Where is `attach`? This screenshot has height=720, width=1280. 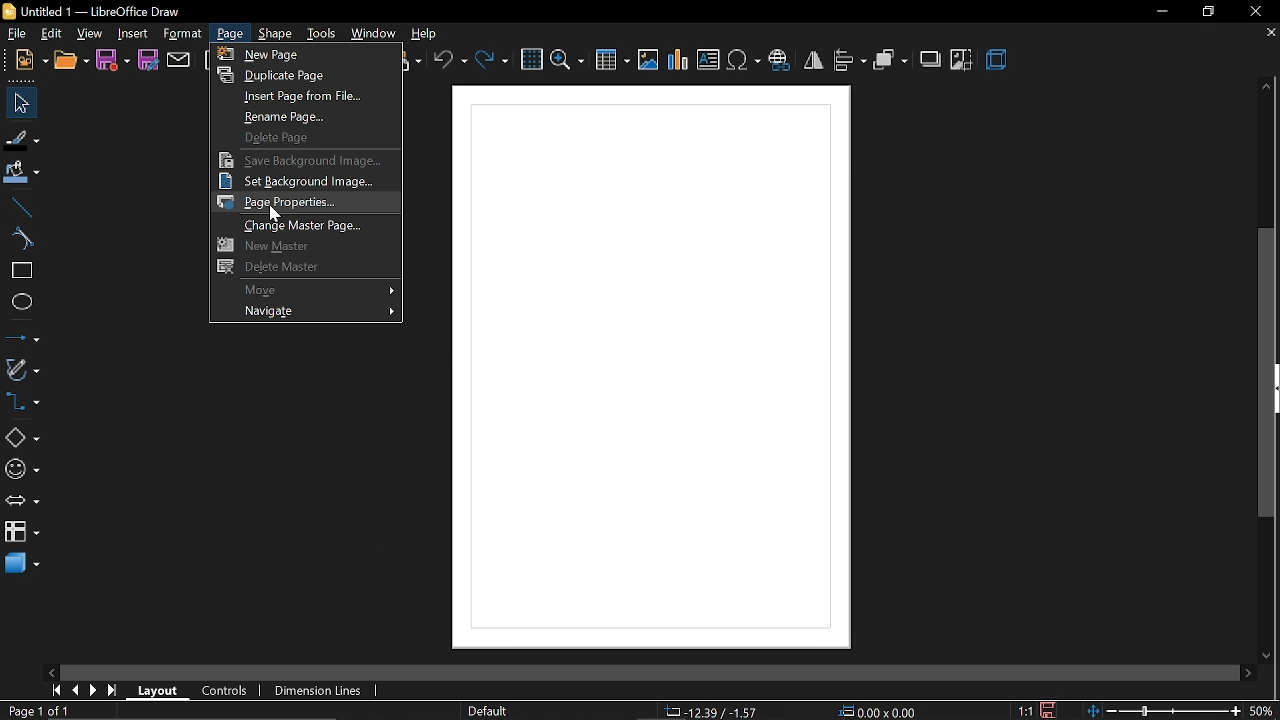 attach is located at coordinates (181, 60).